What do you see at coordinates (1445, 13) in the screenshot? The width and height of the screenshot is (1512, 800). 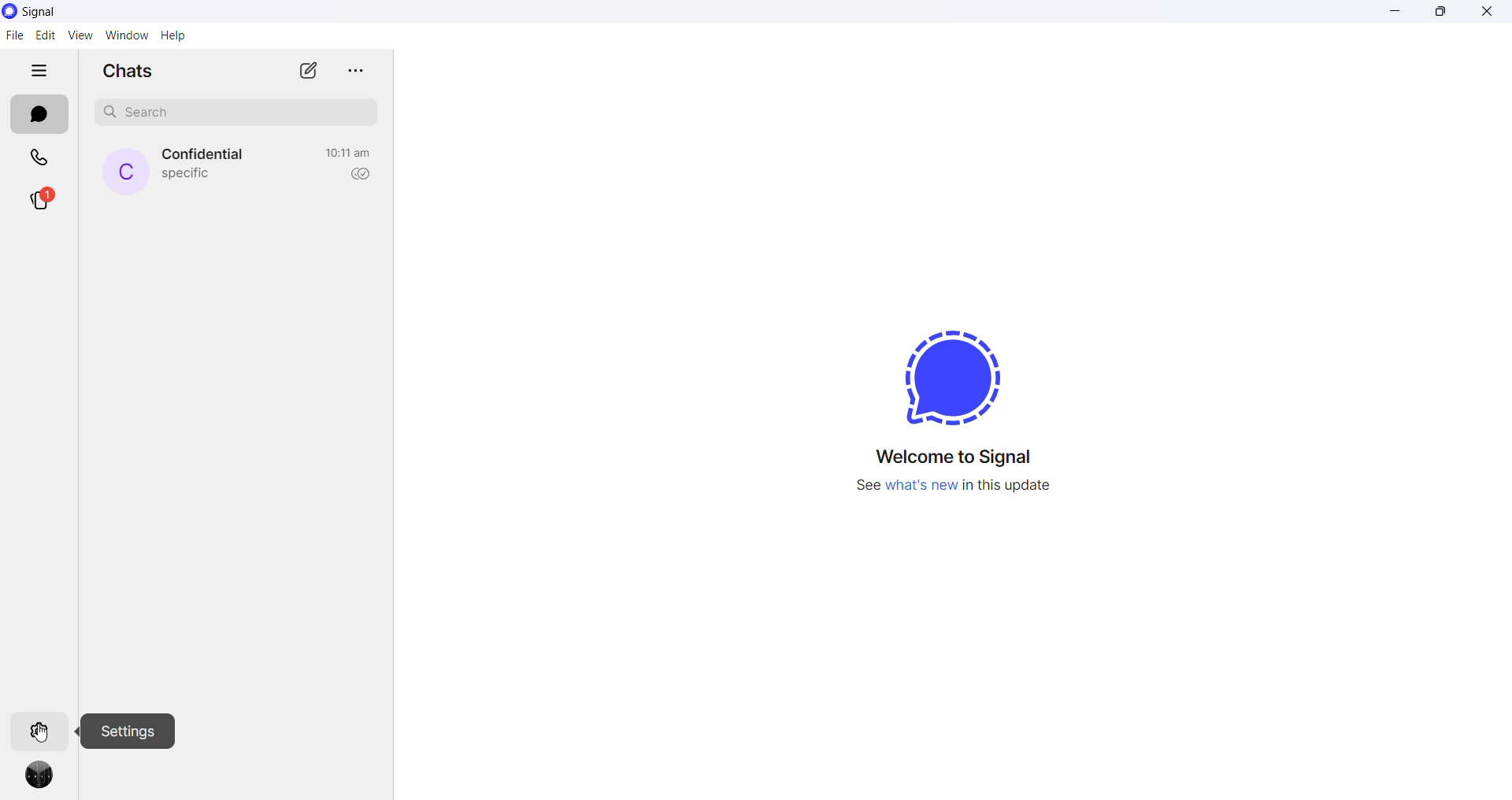 I see `maximize` at bounding box center [1445, 13].